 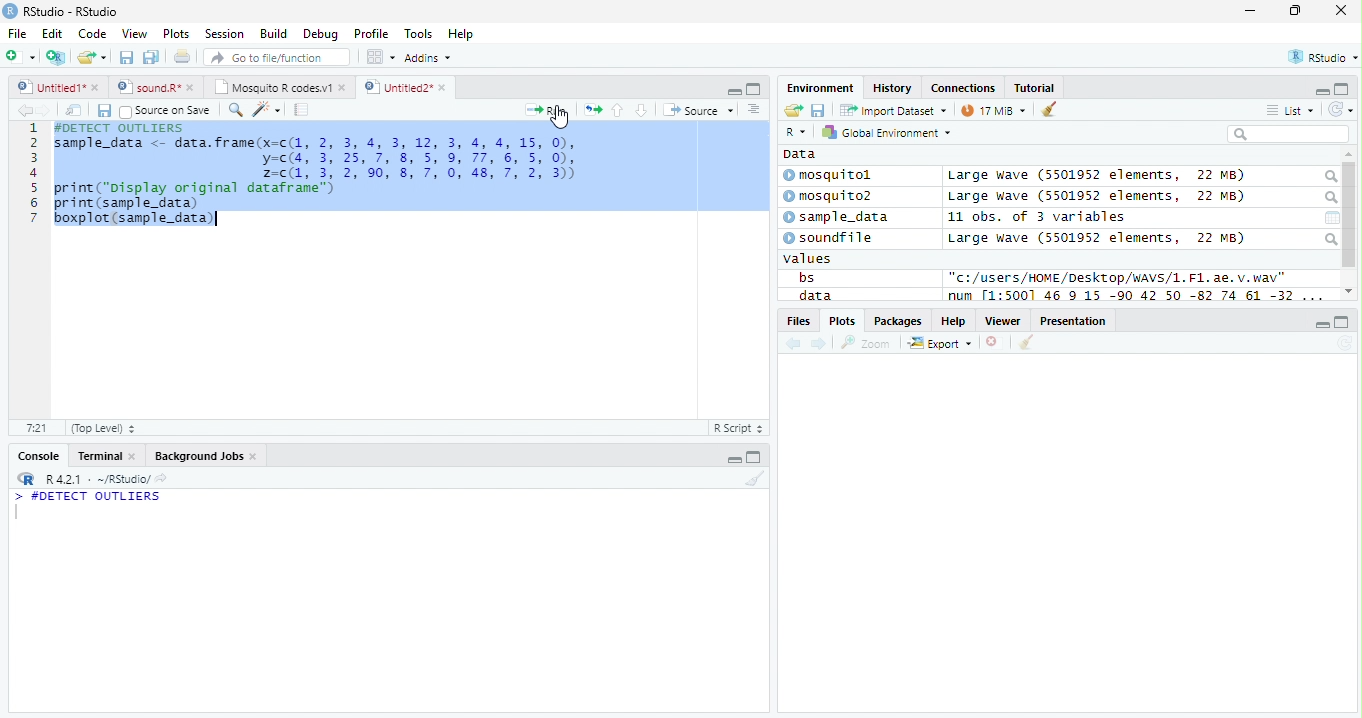 What do you see at coordinates (1332, 218) in the screenshot?
I see `Calendar` at bounding box center [1332, 218].